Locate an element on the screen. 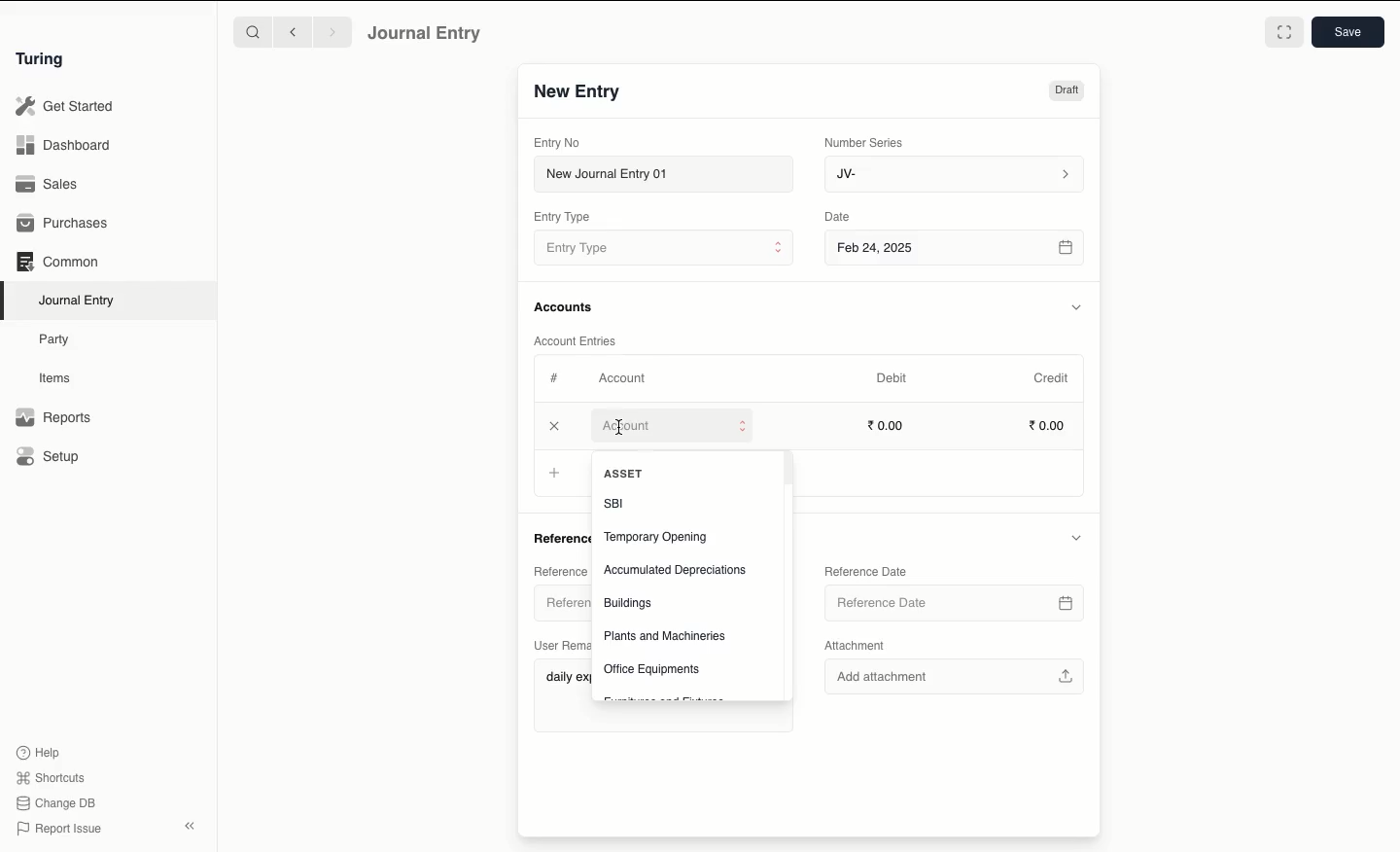 This screenshot has height=852, width=1400. Sales is located at coordinates (50, 184).